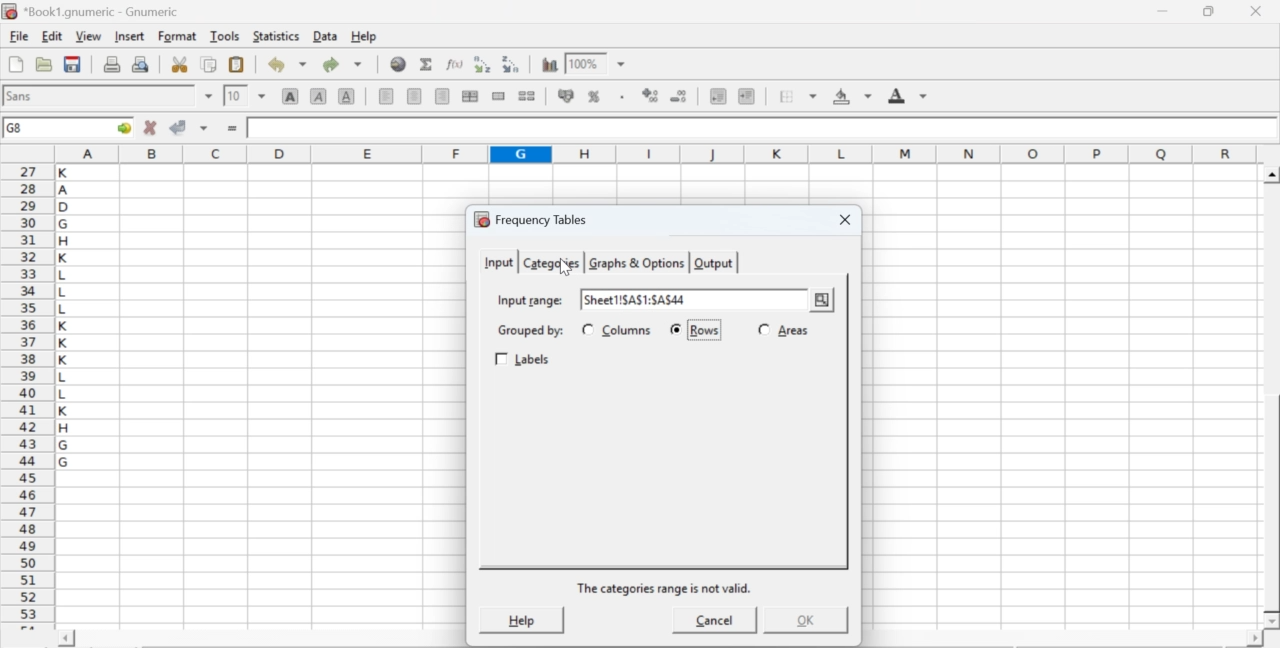 This screenshot has height=648, width=1280. Describe the element at coordinates (52, 36) in the screenshot. I see `edit` at that location.